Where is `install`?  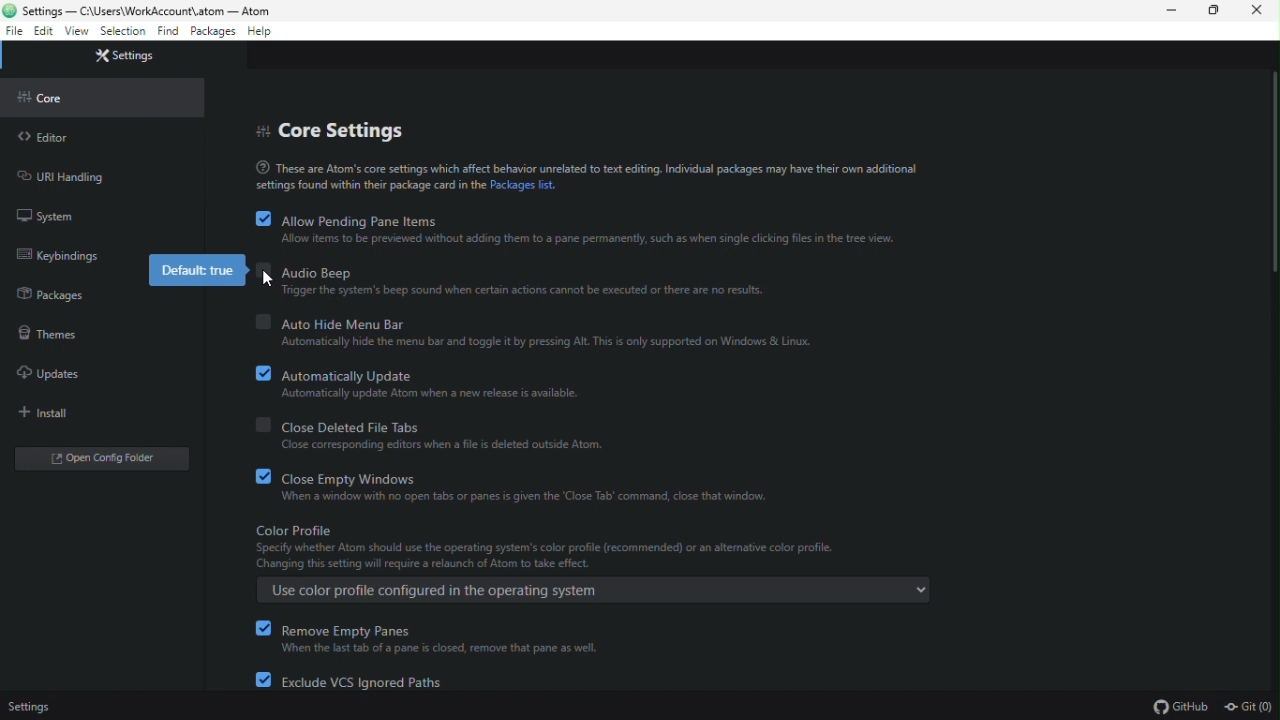
install is located at coordinates (47, 415).